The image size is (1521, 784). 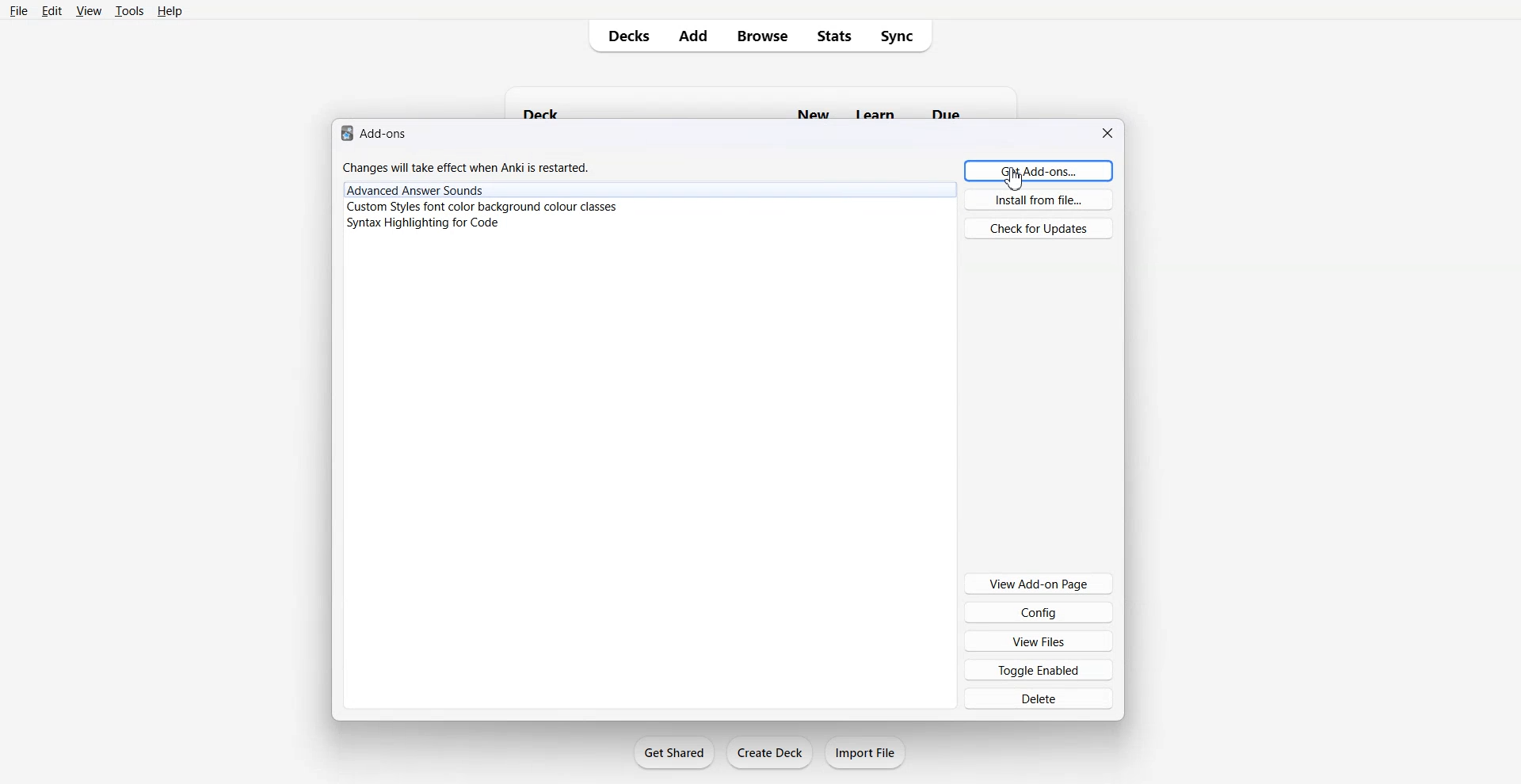 What do you see at coordinates (833, 36) in the screenshot?
I see `Stats` at bounding box center [833, 36].